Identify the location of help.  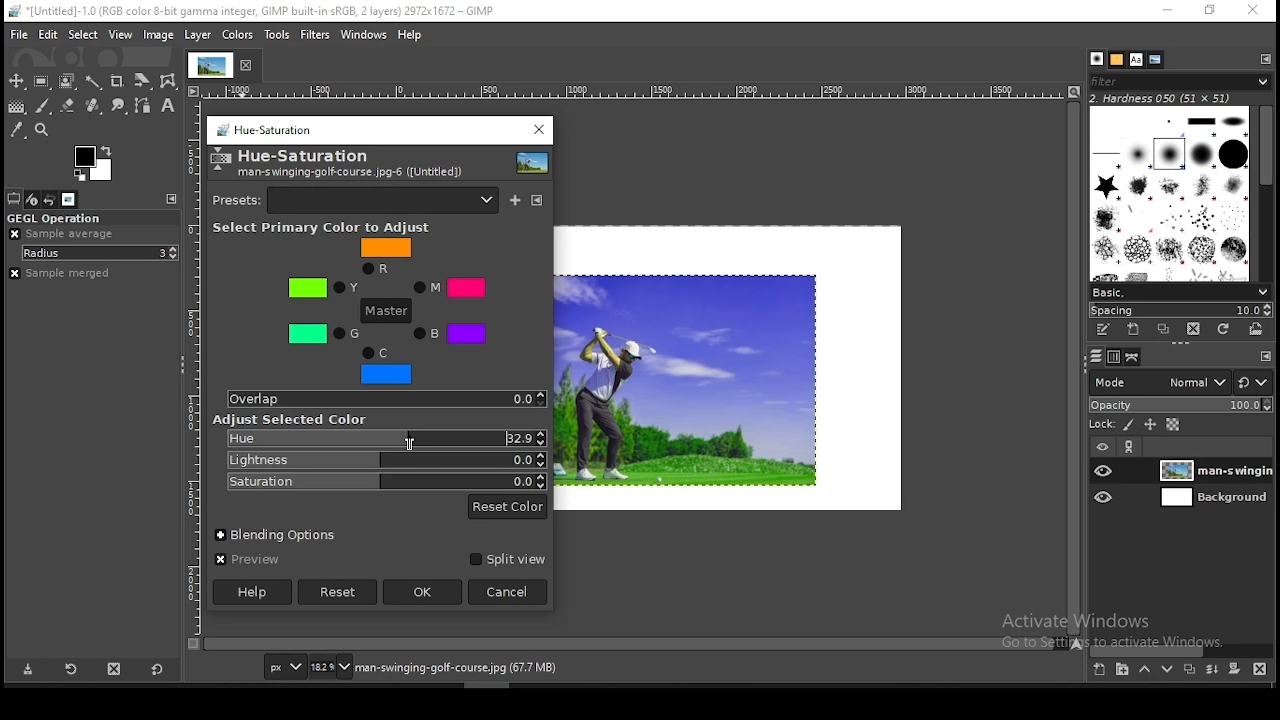
(411, 33).